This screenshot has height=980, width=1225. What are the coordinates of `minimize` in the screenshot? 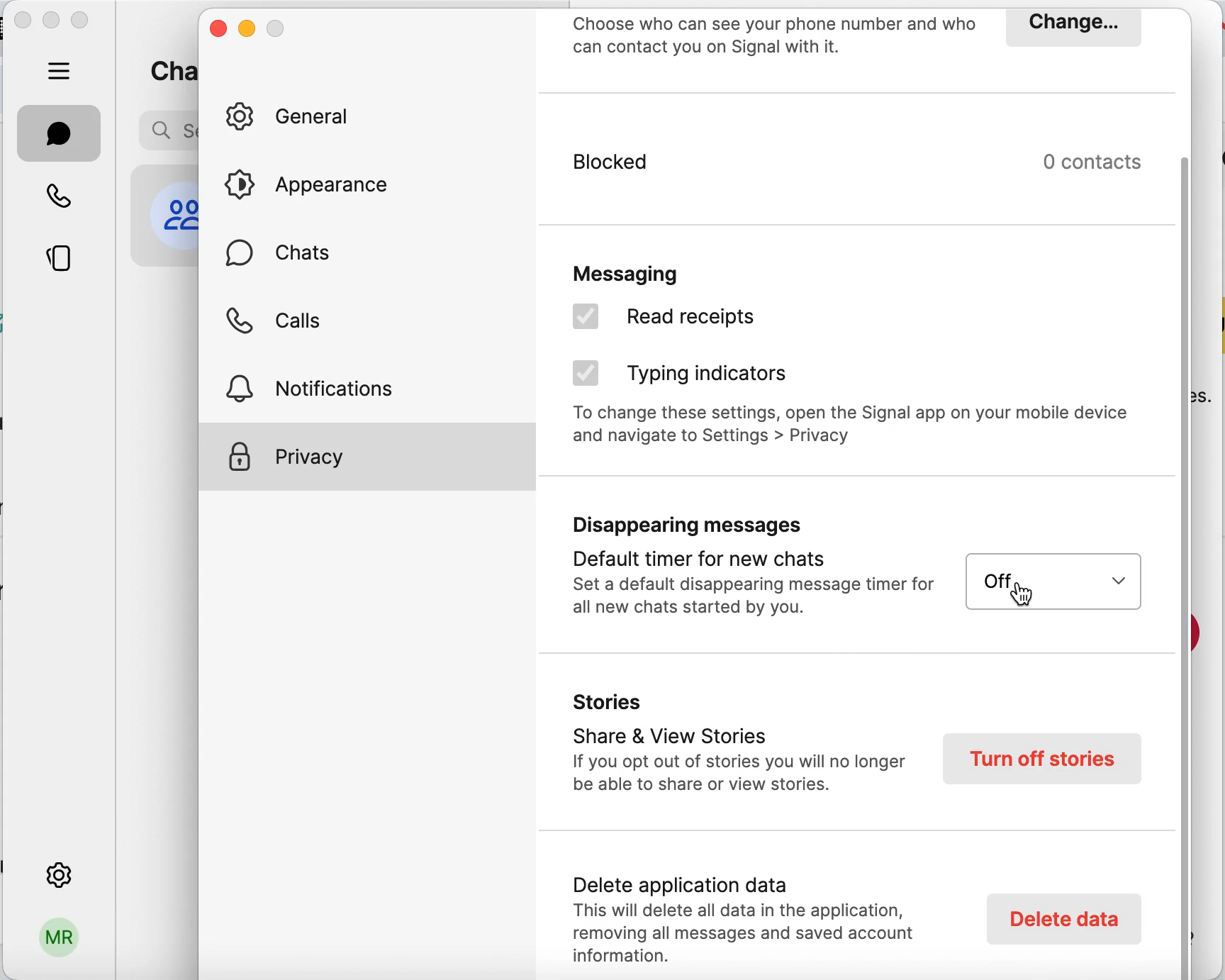 It's located at (52, 19).